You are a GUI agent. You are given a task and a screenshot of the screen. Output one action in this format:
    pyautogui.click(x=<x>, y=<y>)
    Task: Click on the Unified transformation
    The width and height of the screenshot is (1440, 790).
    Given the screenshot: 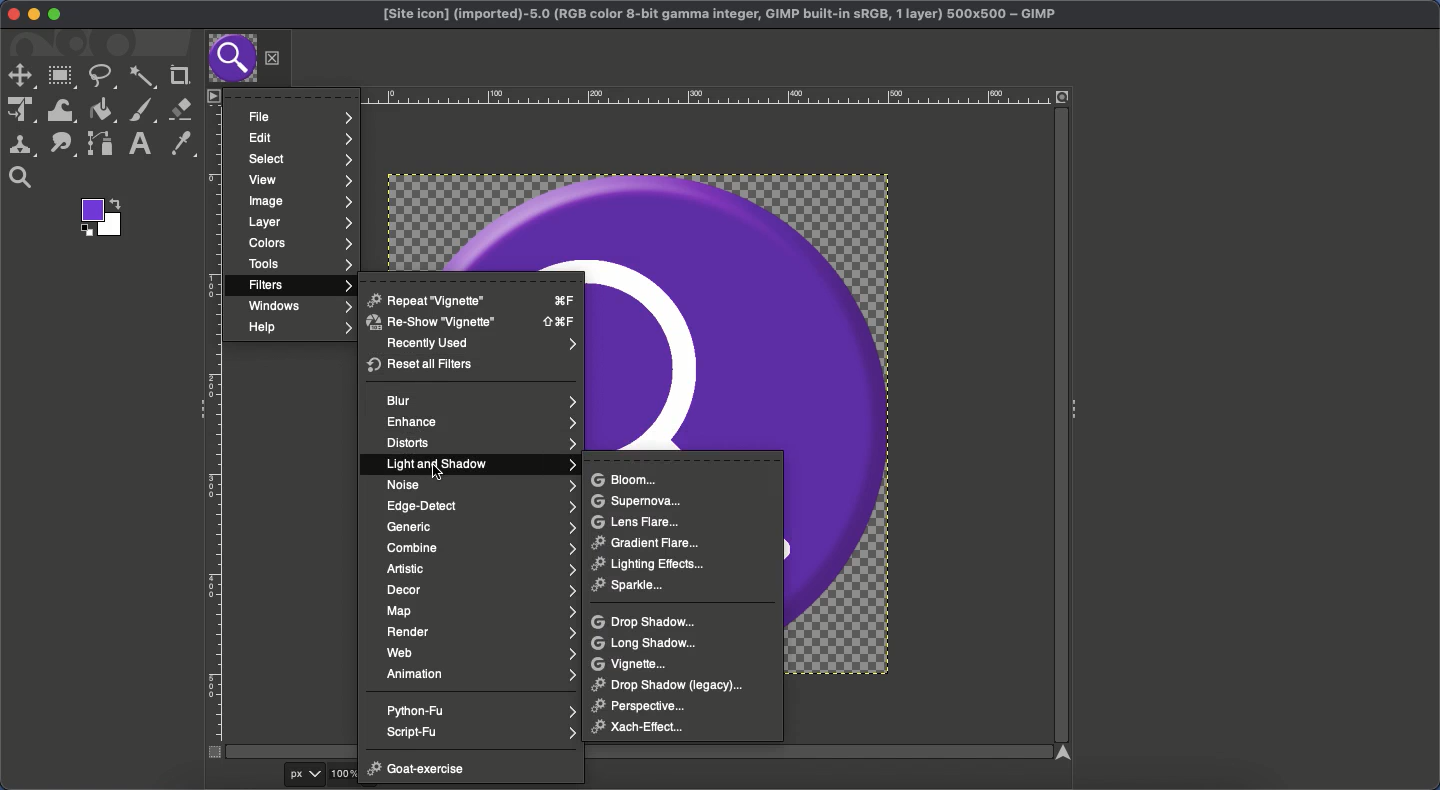 What is the action you would take?
    pyautogui.click(x=19, y=111)
    